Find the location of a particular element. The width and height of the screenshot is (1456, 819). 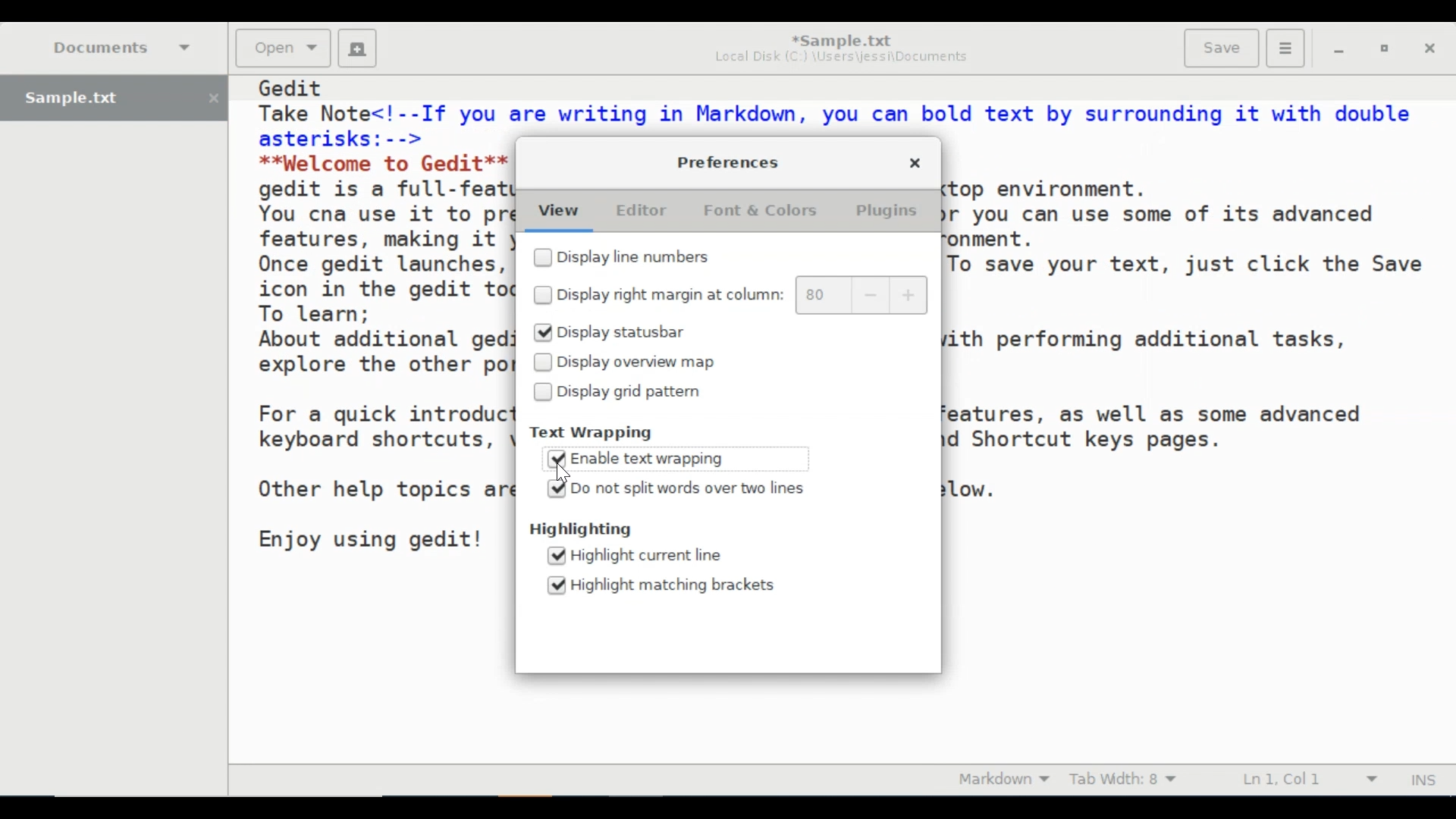

(un)select Display grid pattern is located at coordinates (618, 394).